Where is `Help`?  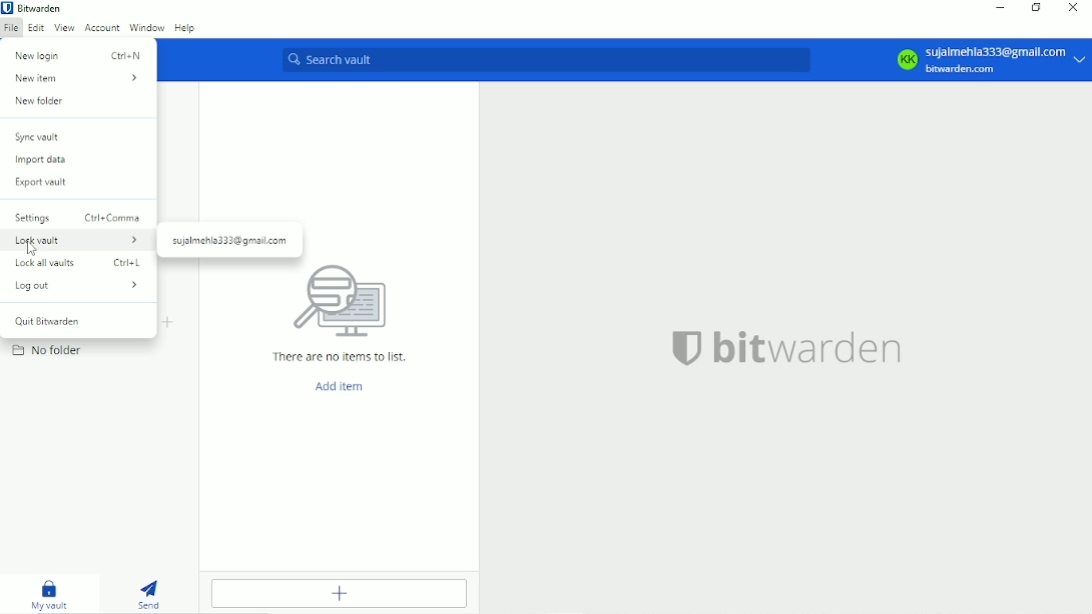
Help is located at coordinates (185, 28).